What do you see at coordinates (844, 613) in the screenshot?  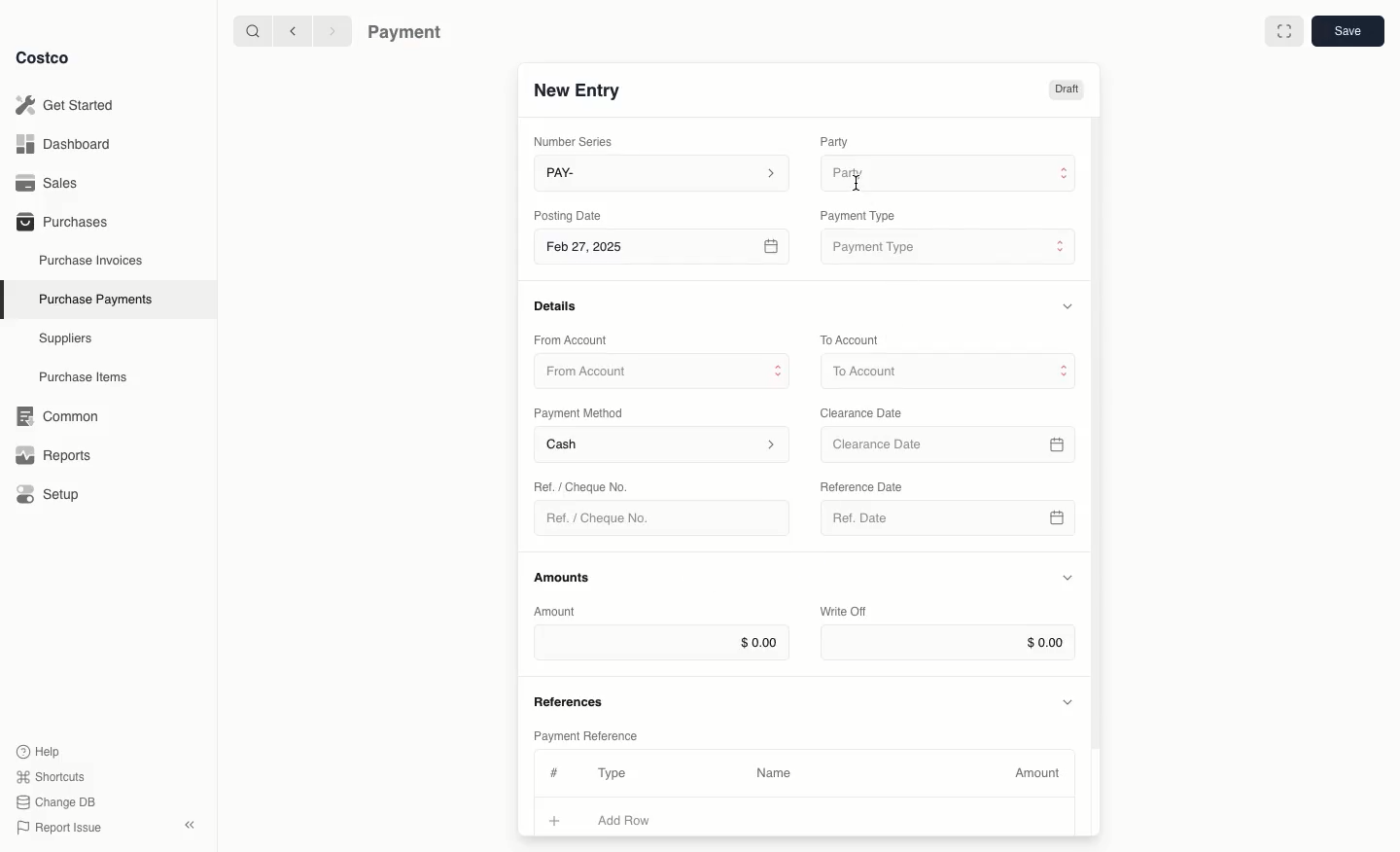 I see `Write Off` at bounding box center [844, 613].